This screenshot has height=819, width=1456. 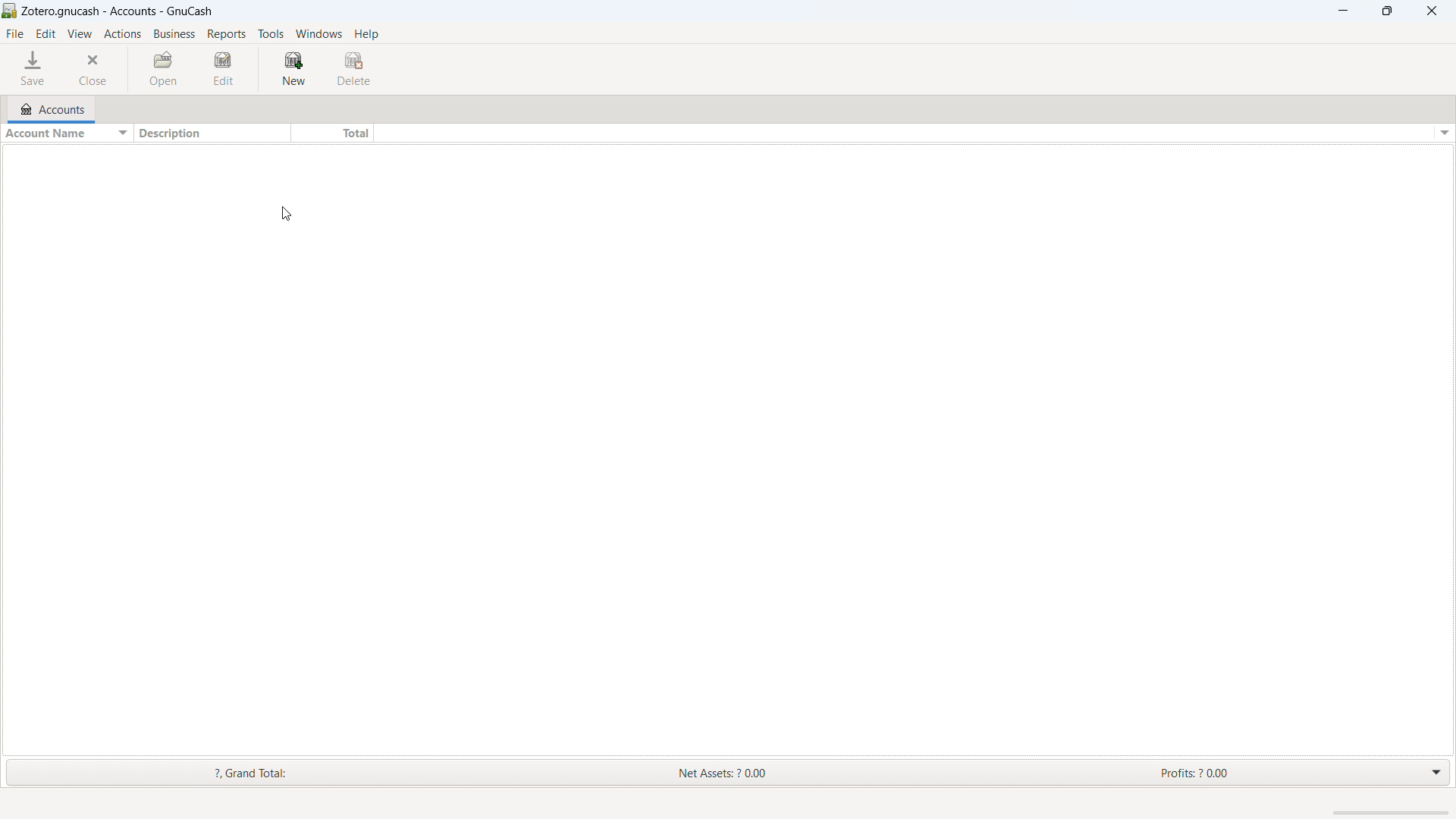 I want to click on sort by account name, so click(x=64, y=134).